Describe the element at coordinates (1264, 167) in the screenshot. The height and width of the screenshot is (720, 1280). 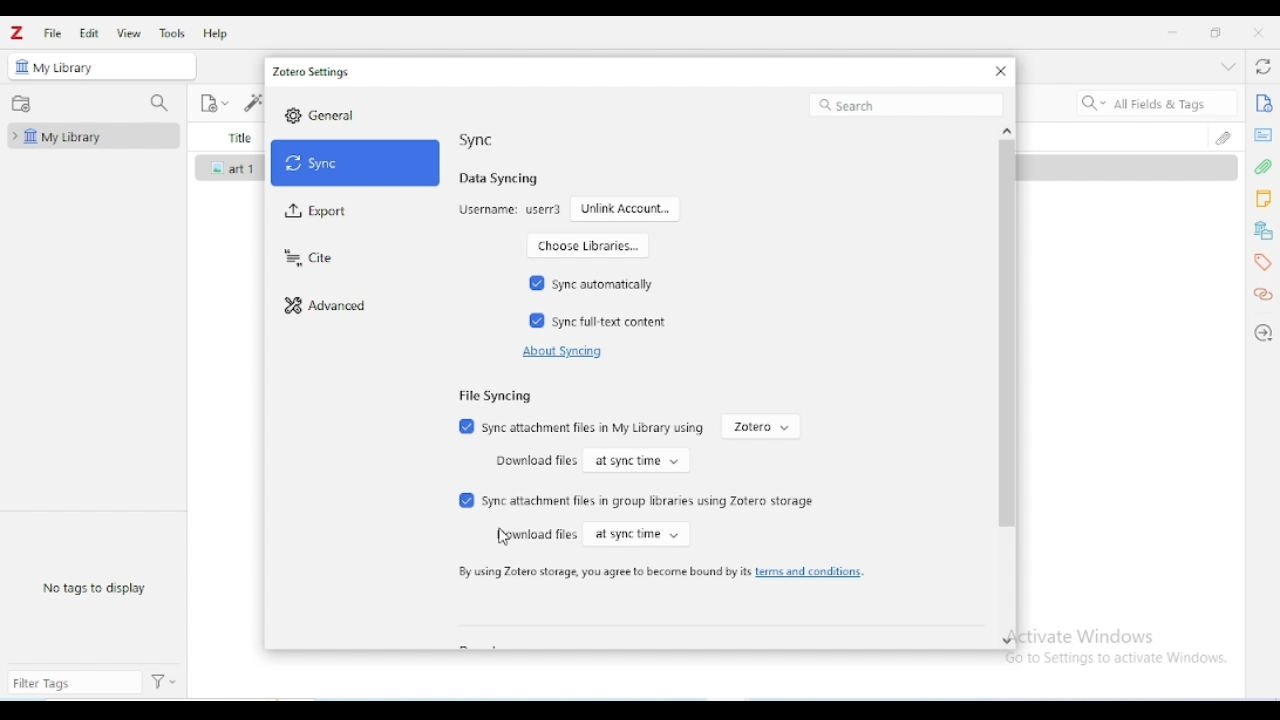
I see `attachments` at that location.